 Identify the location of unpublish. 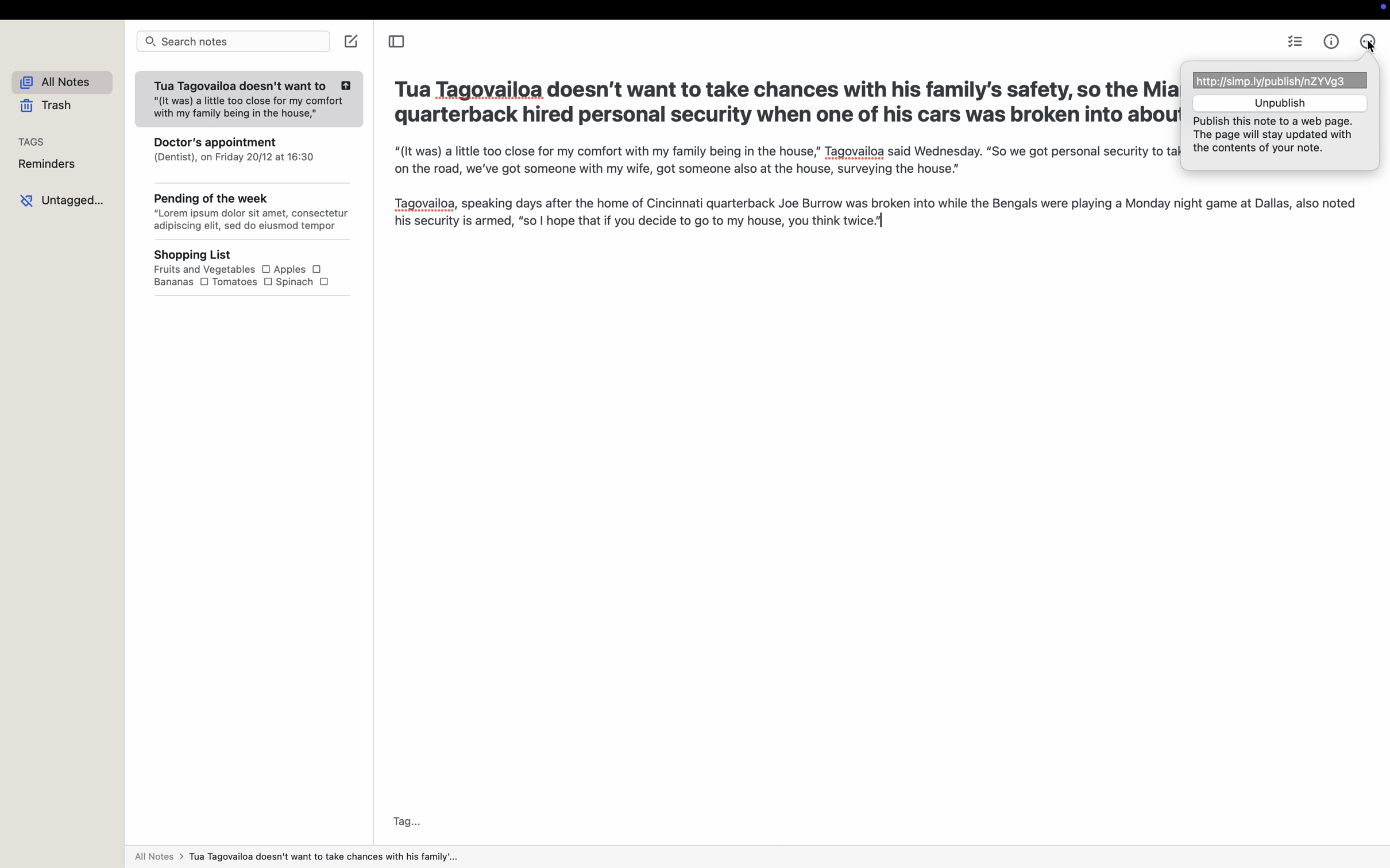
(1281, 103).